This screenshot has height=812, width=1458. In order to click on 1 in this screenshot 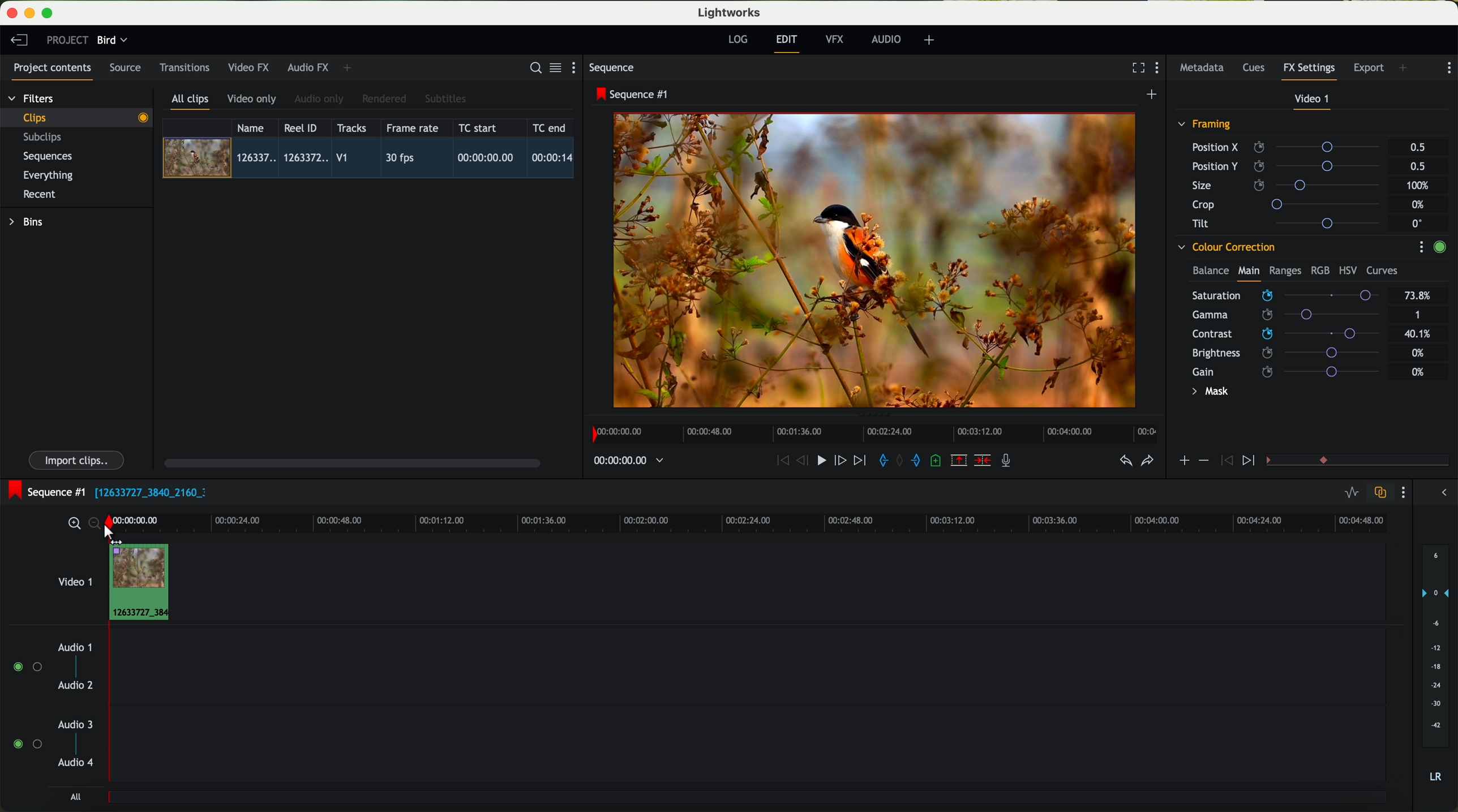, I will do `click(1418, 316)`.